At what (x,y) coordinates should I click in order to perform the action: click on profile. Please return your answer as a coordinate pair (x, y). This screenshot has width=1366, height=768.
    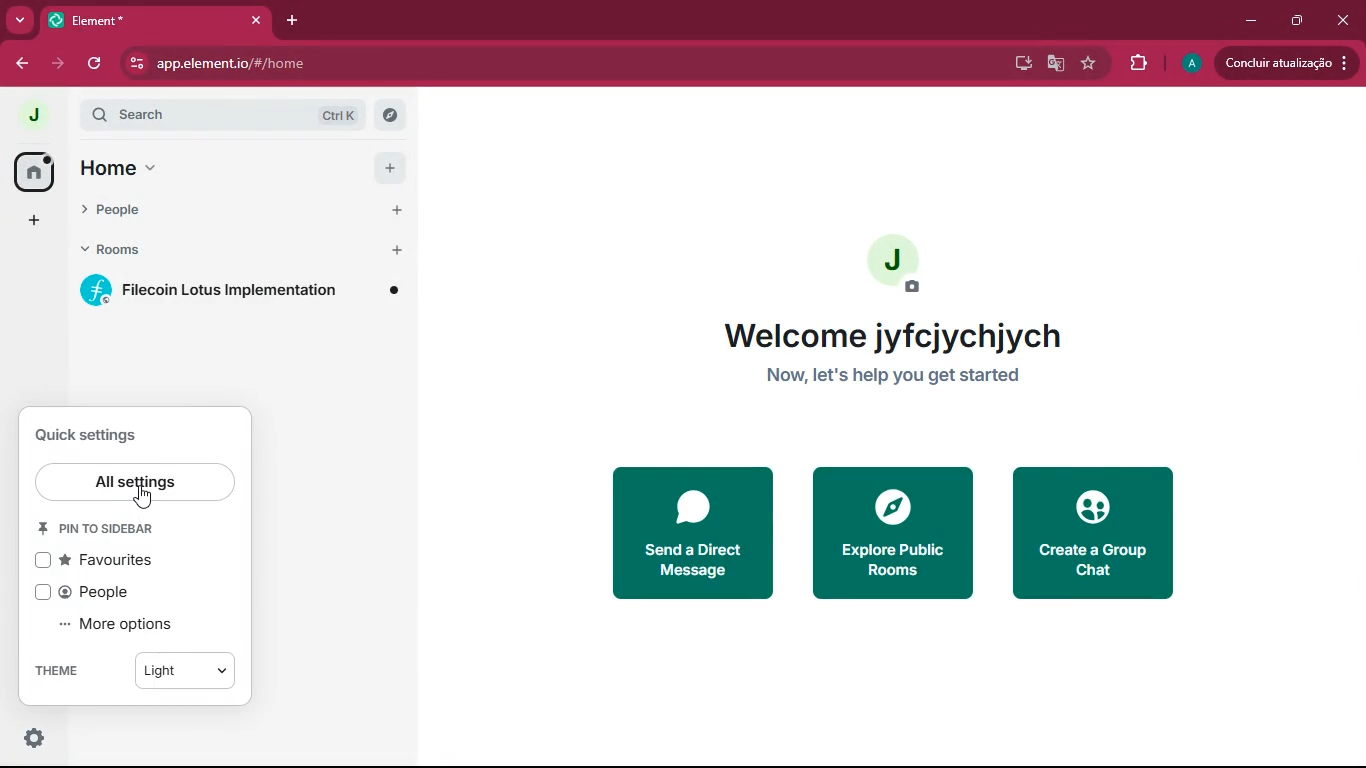
    Looking at the image, I should click on (1190, 63).